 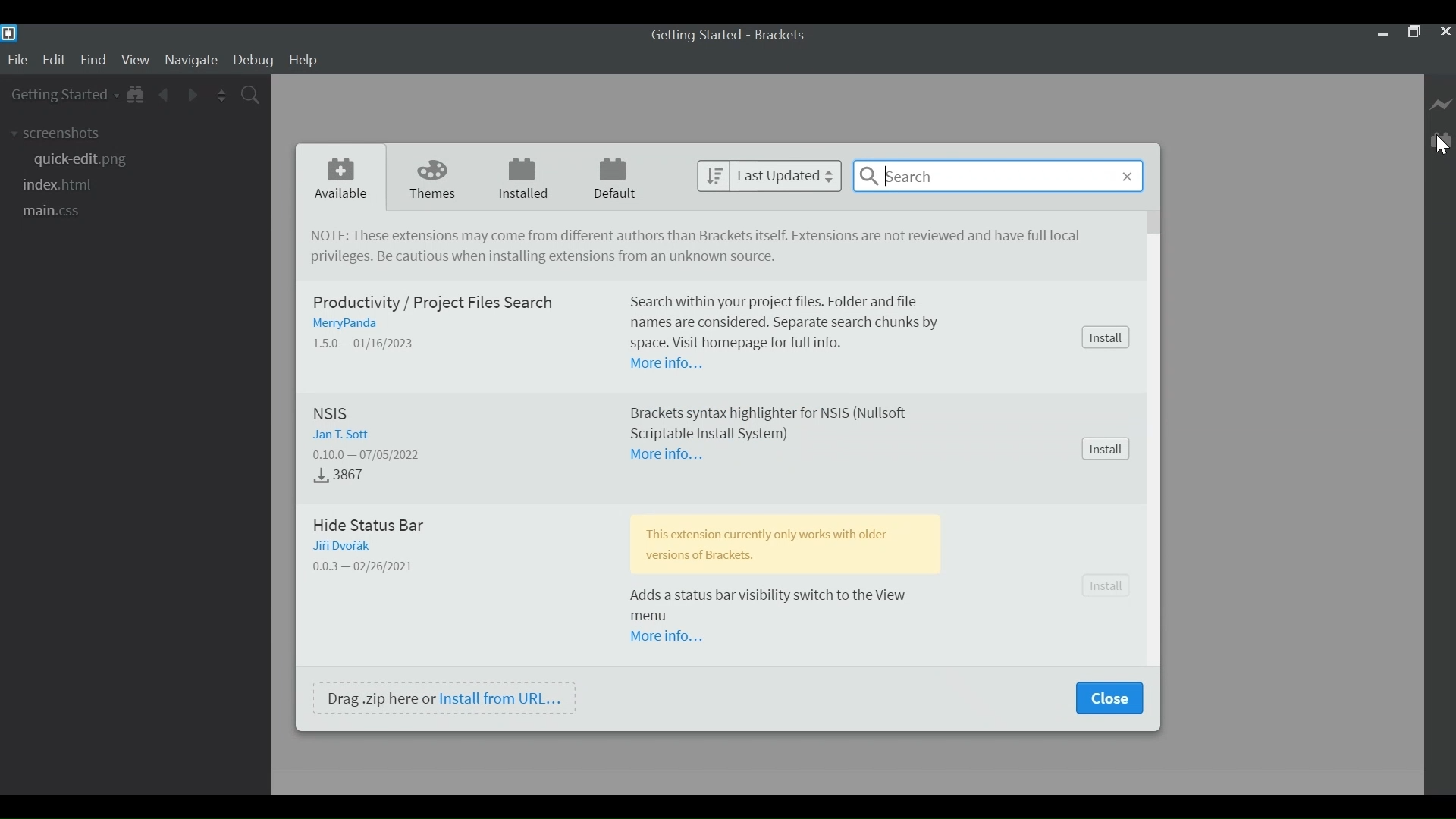 I want to click on File, so click(x=18, y=61).